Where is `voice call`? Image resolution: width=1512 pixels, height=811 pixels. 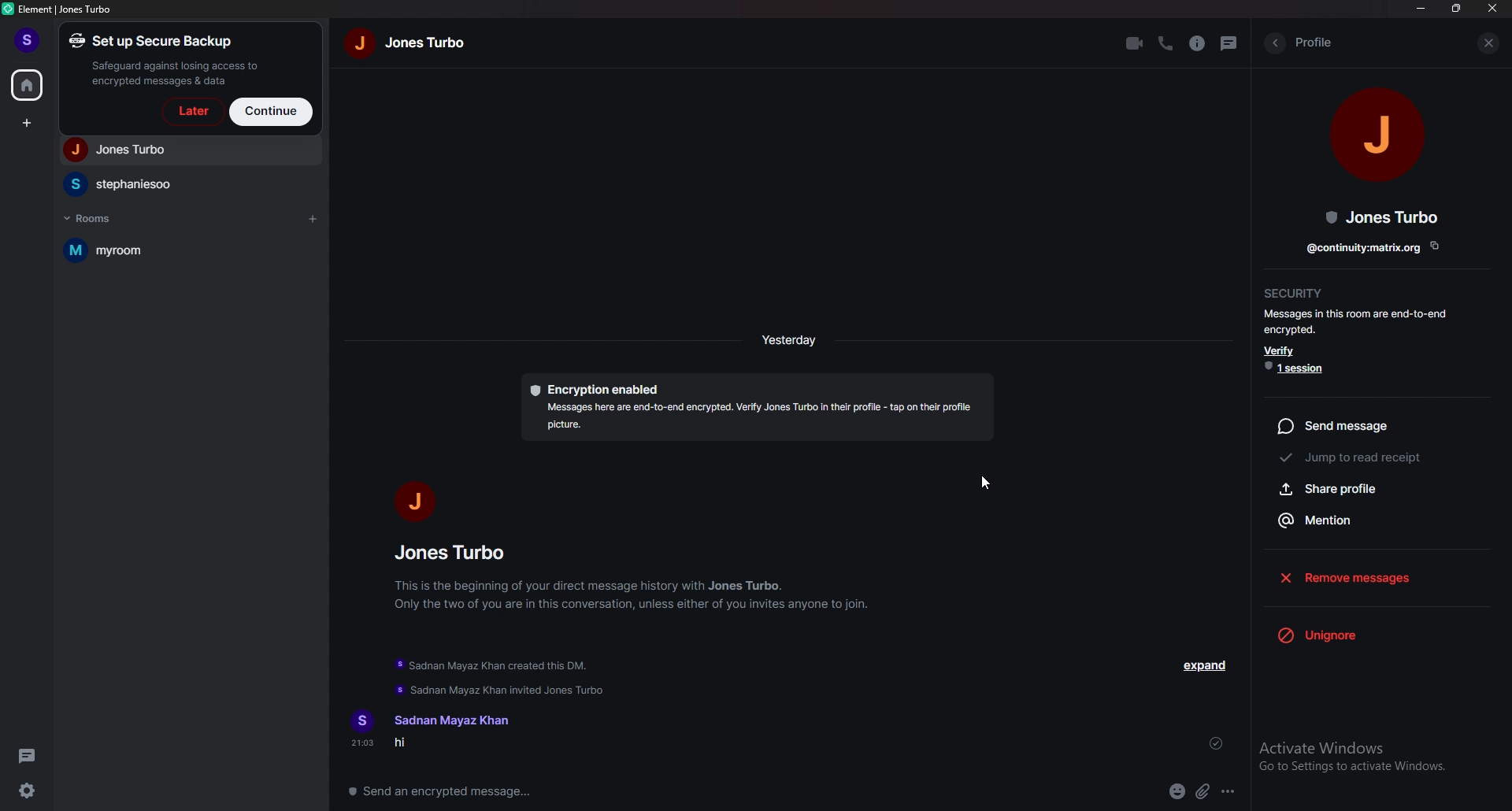 voice call is located at coordinates (1164, 44).